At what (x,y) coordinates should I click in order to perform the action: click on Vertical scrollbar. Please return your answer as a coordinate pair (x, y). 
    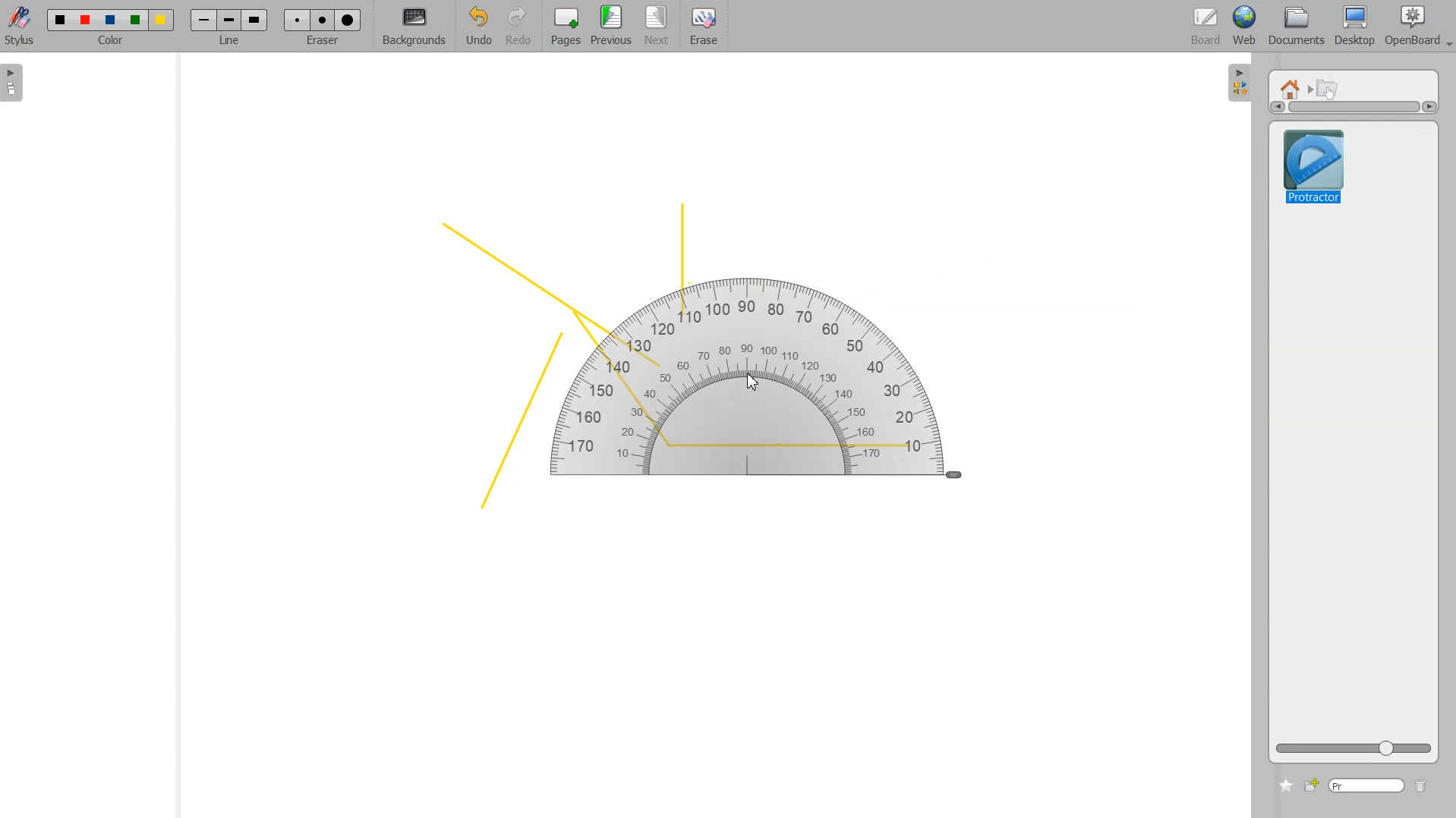
    Looking at the image, I should click on (1354, 107).